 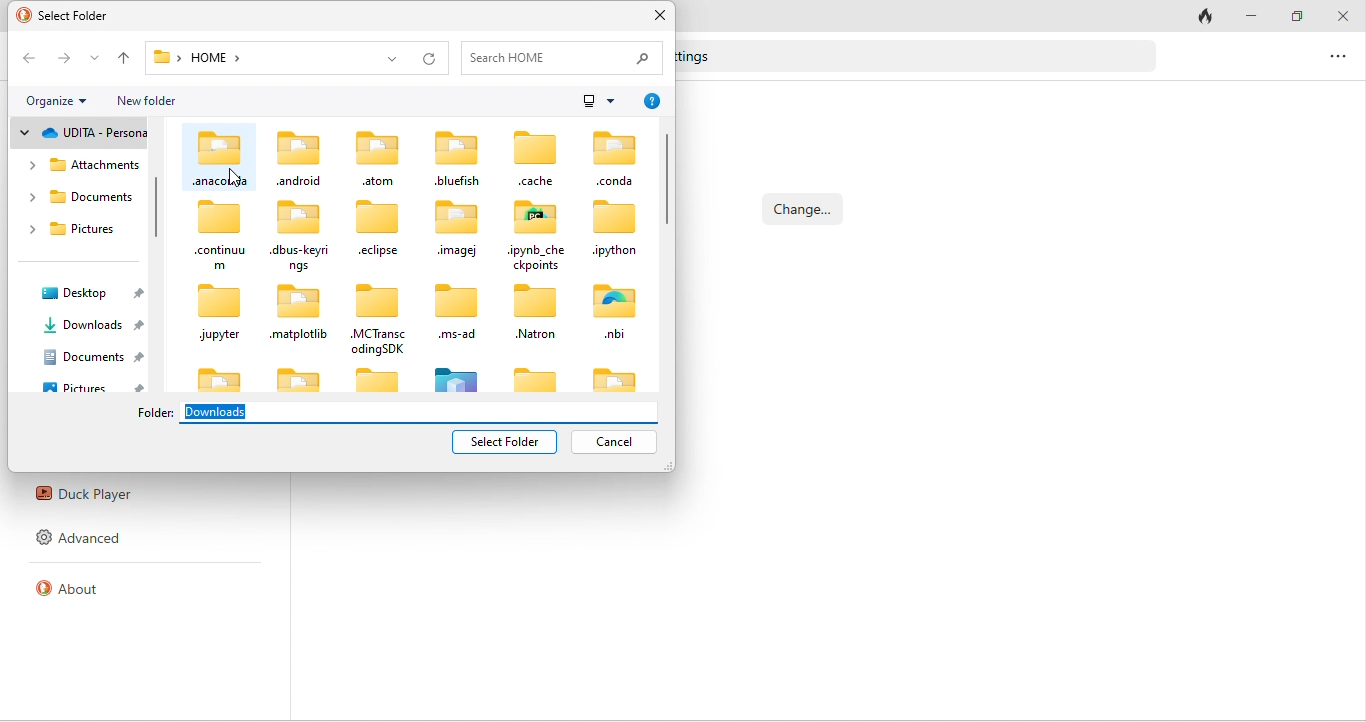 I want to click on organize, so click(x=54, y=99).